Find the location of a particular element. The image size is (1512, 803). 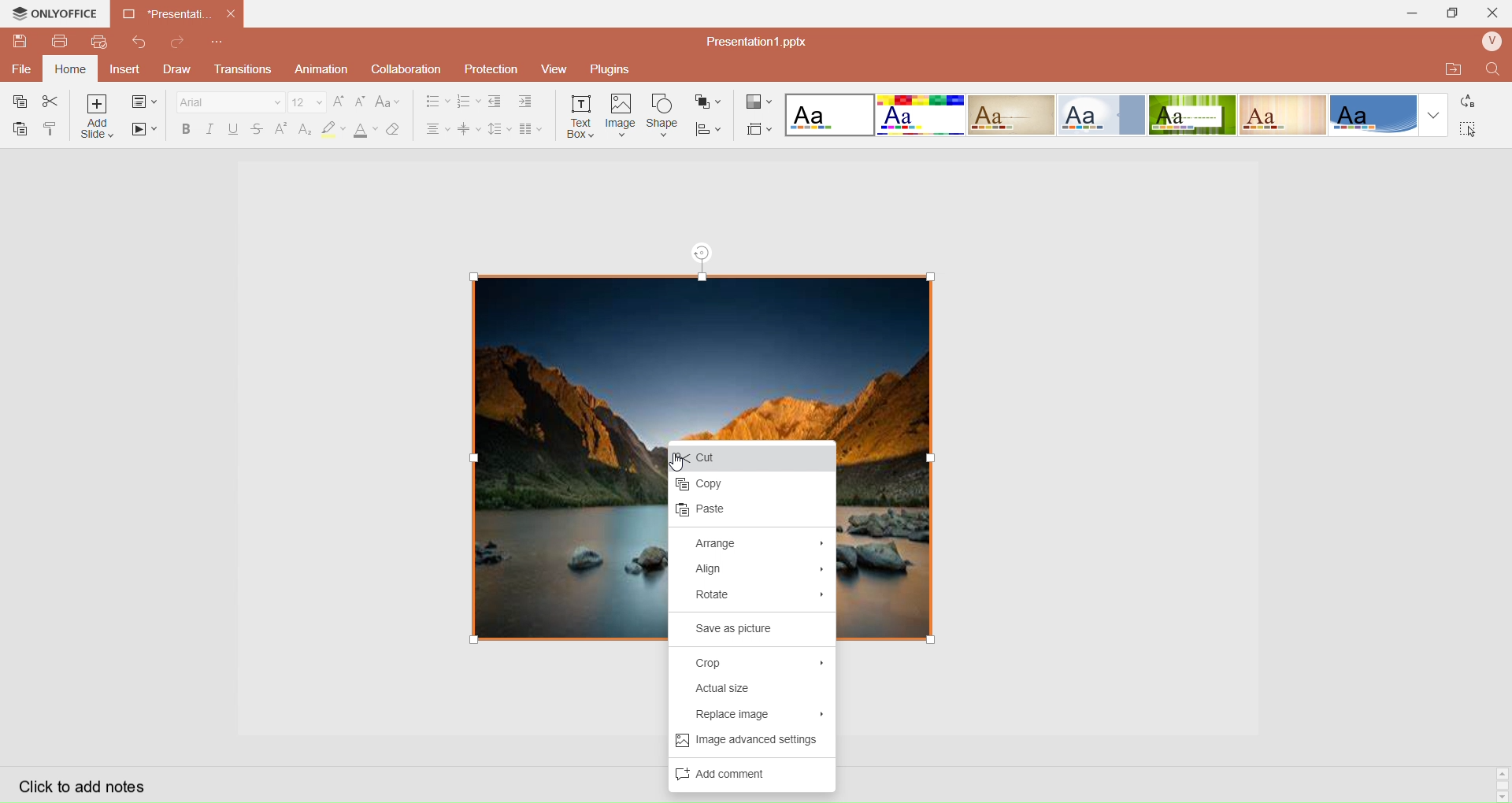

Image advance settings  is located at coordinates (751, 743).